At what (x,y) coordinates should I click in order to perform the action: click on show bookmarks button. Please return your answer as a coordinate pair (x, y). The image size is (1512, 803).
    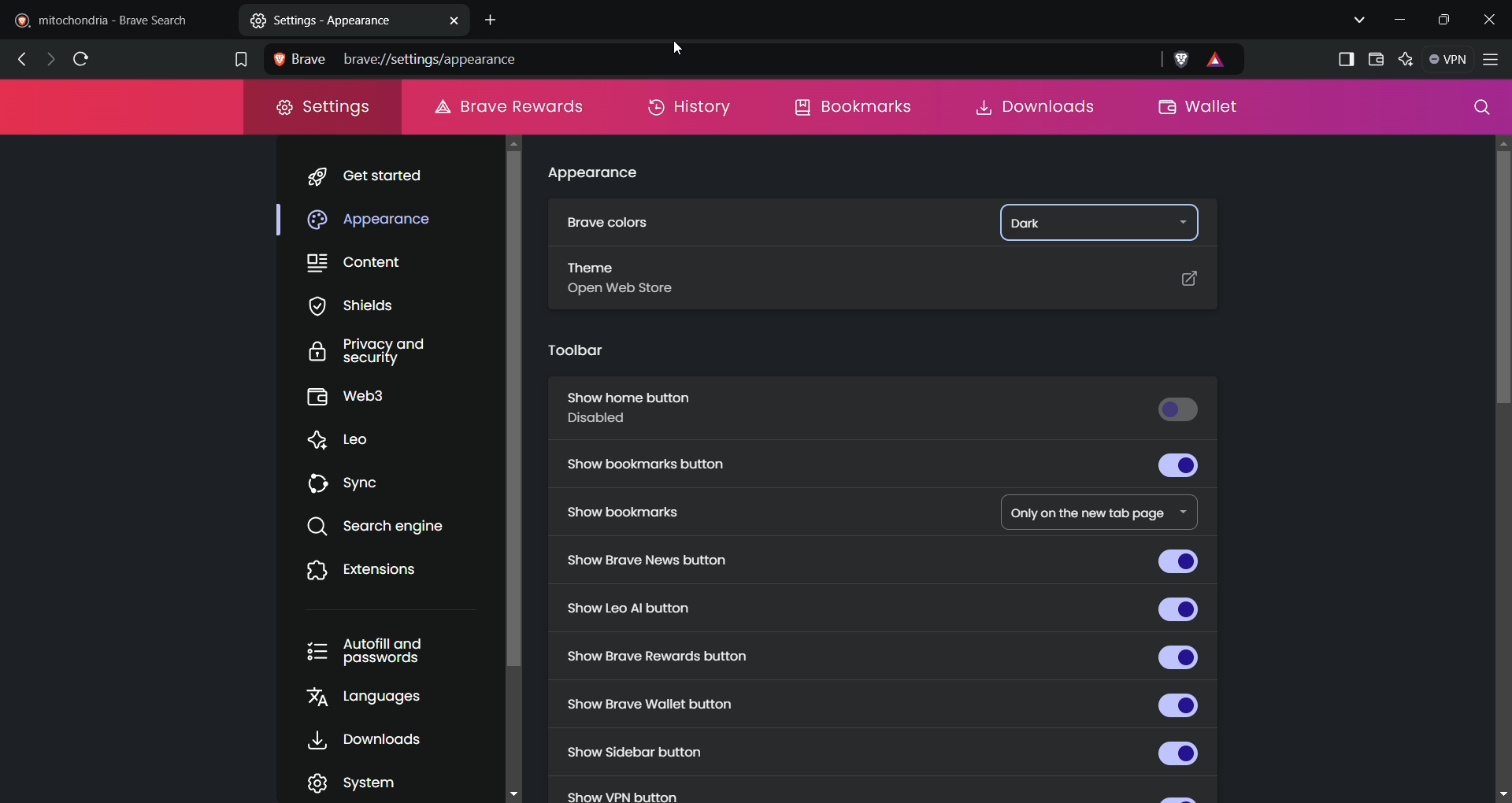
    Looking at the image, I should click on (887, 469).